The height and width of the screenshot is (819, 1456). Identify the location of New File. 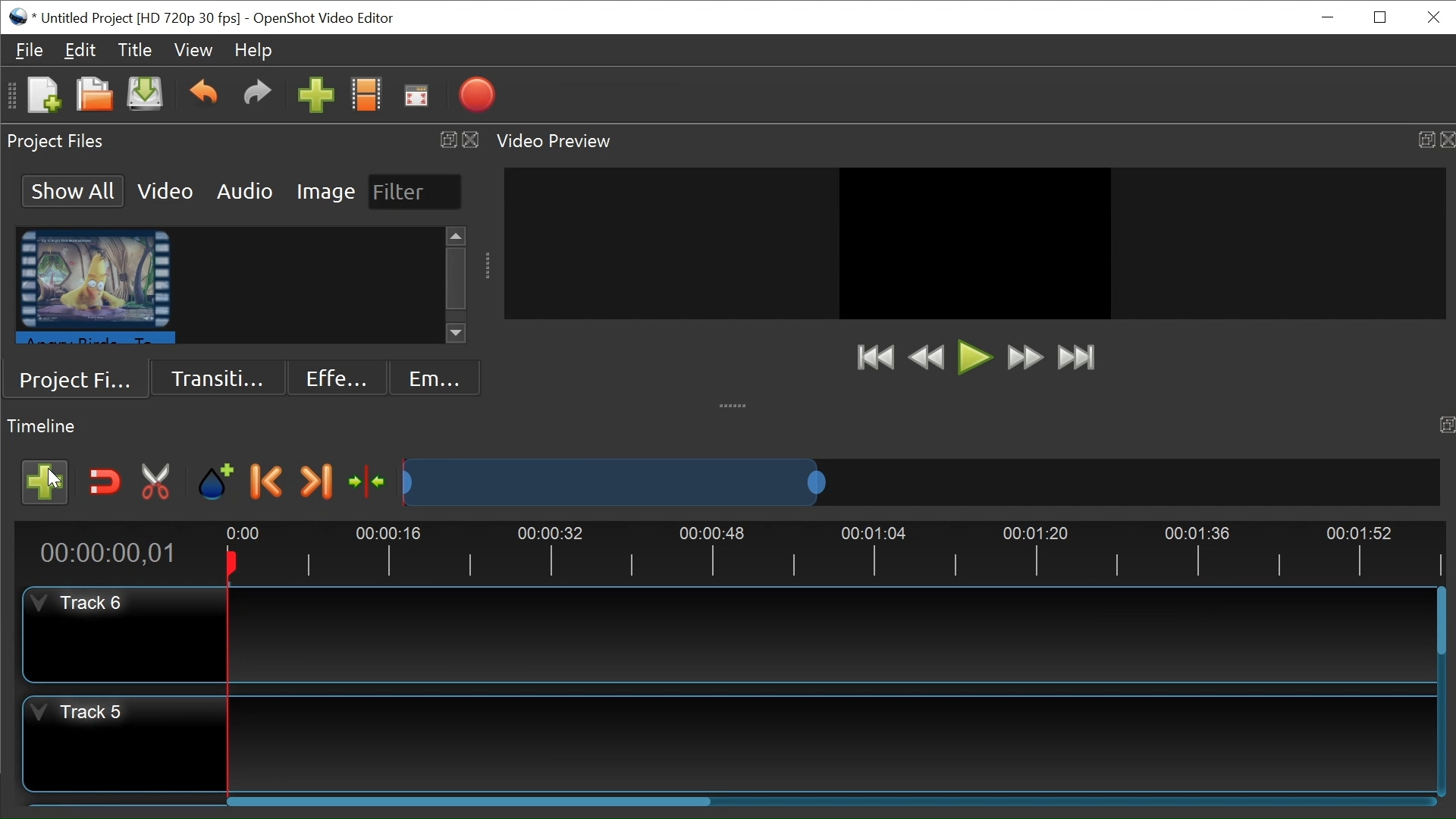
(143, 96).